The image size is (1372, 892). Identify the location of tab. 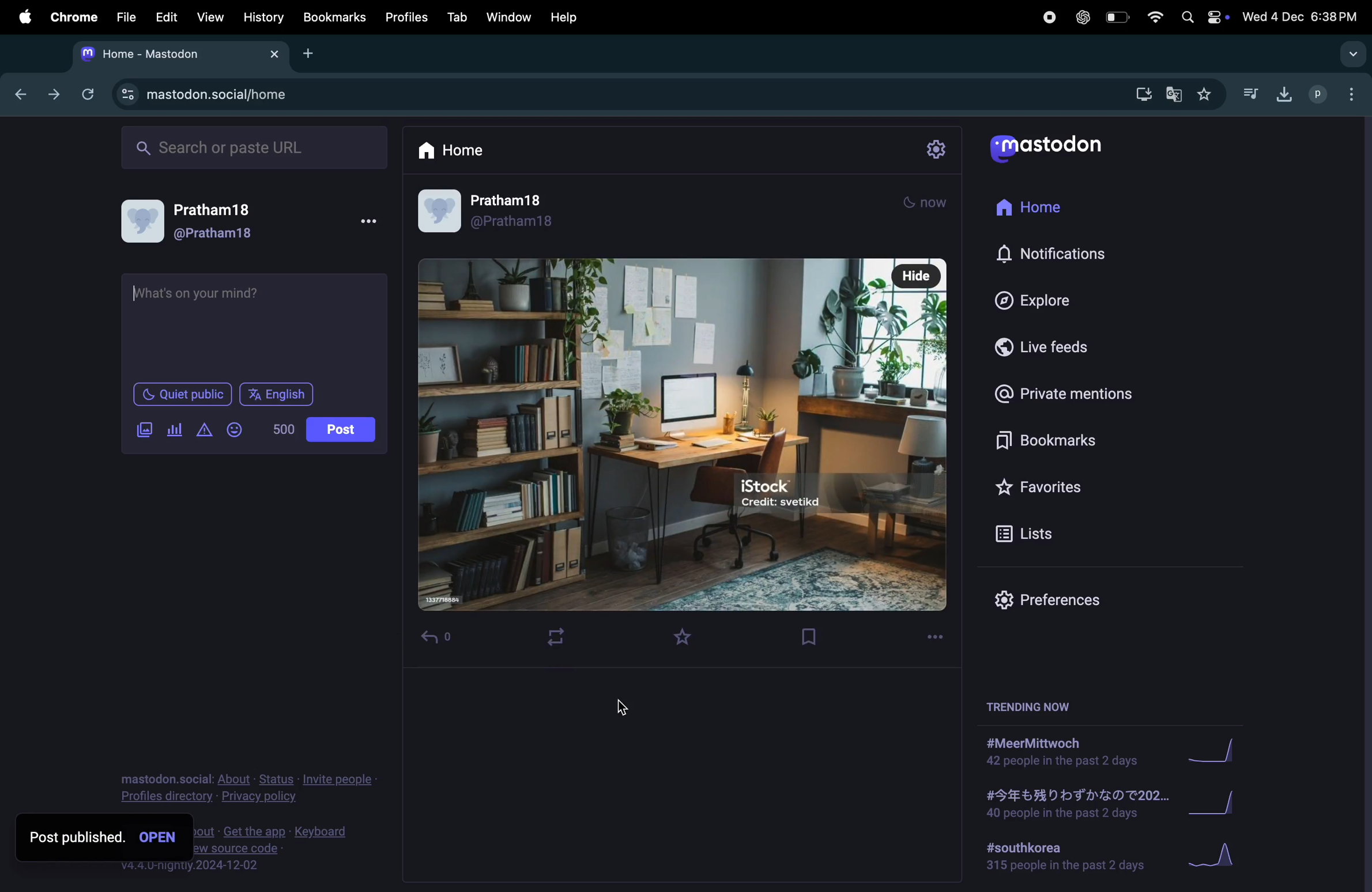
(457, 17).